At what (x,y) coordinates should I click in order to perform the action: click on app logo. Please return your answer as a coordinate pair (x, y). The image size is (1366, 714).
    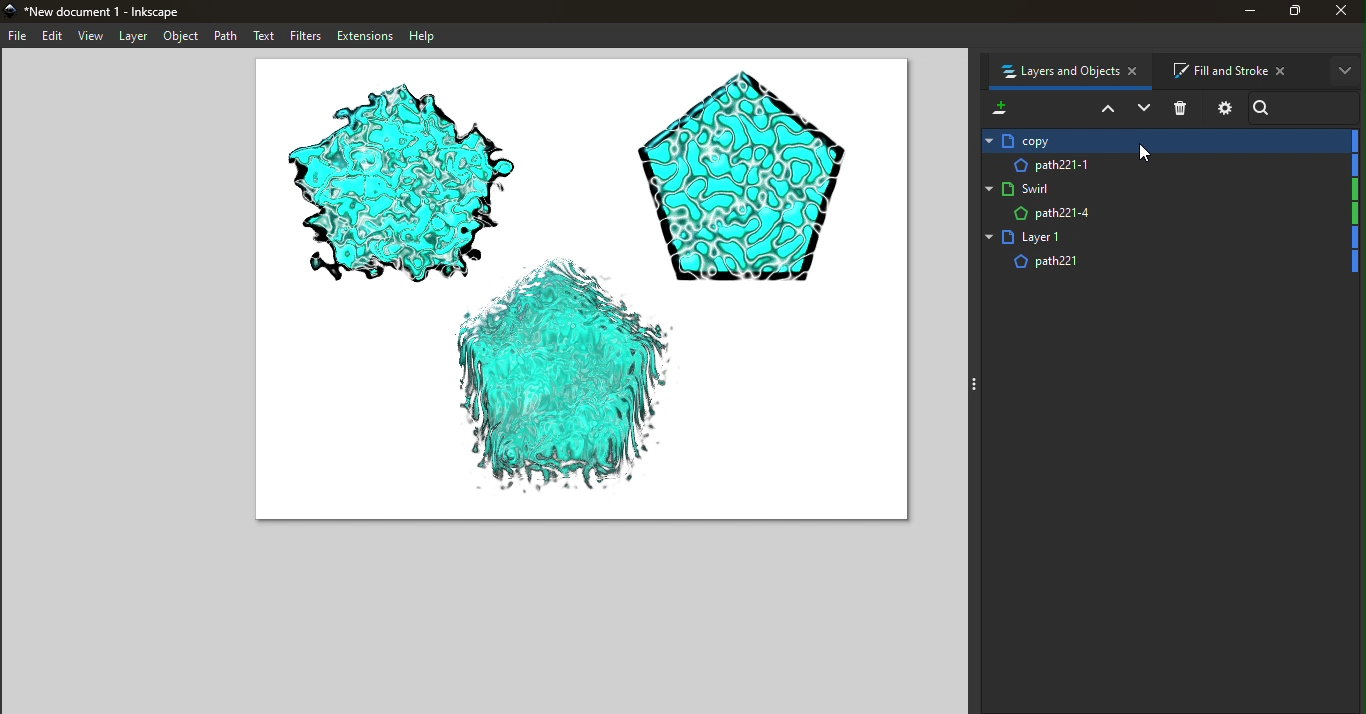
    Looking at the image, I should click on (11, 11).